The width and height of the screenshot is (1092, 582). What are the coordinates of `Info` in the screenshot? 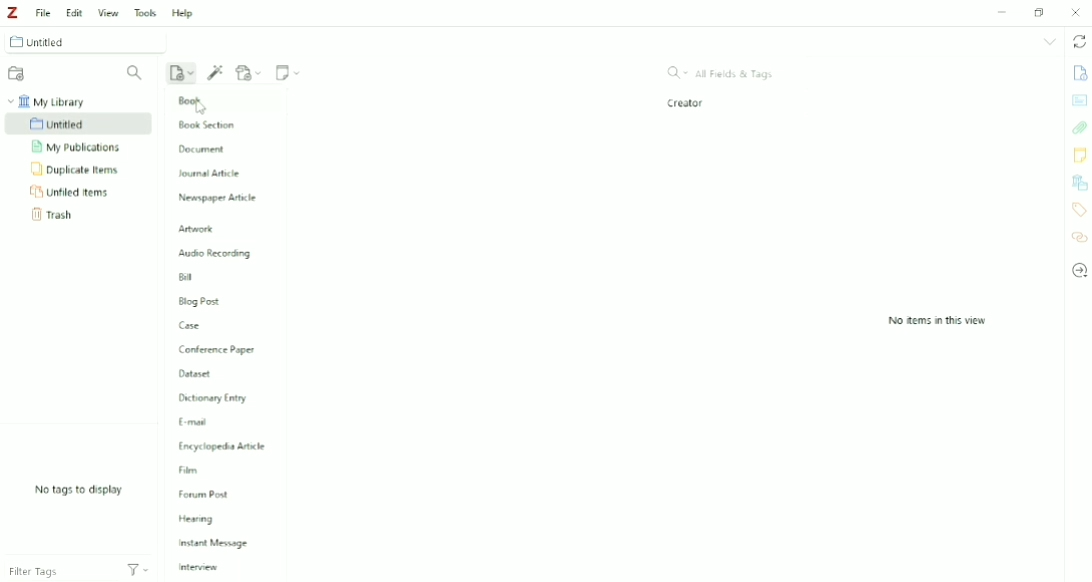 It's located at (1080, 73).